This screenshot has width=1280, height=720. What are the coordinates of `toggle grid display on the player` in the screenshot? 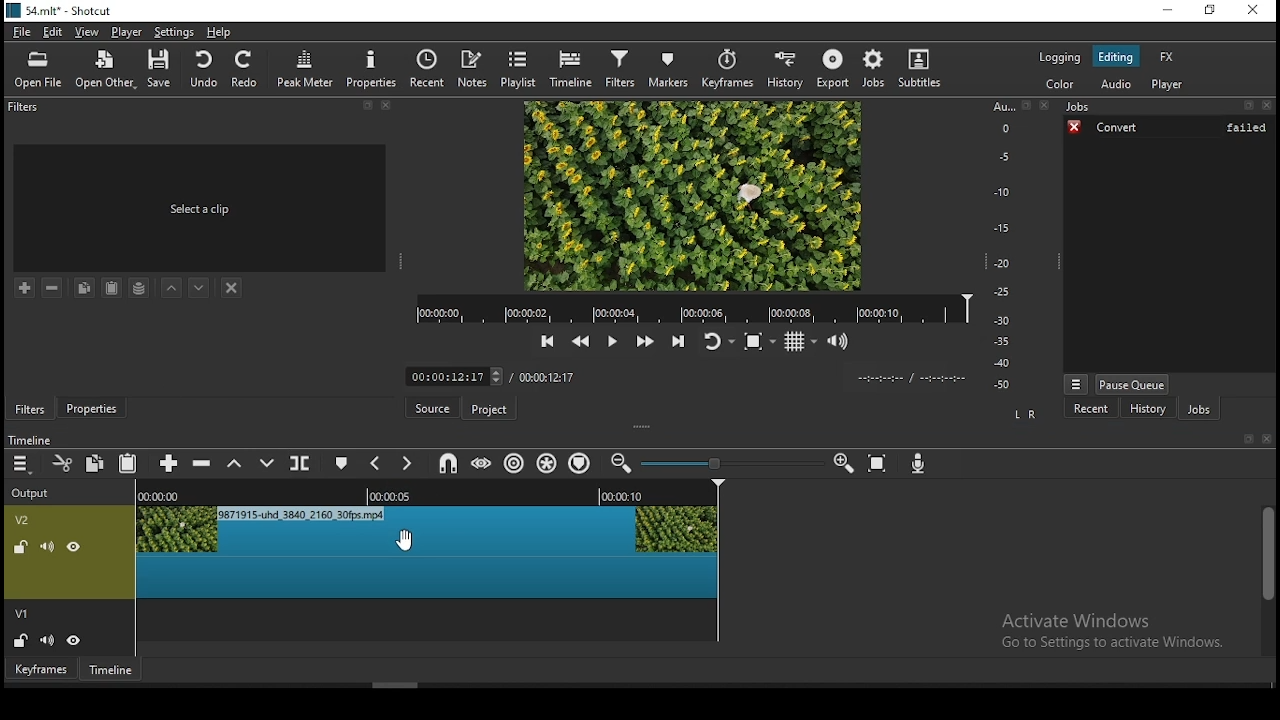 It's located at (800, 343).